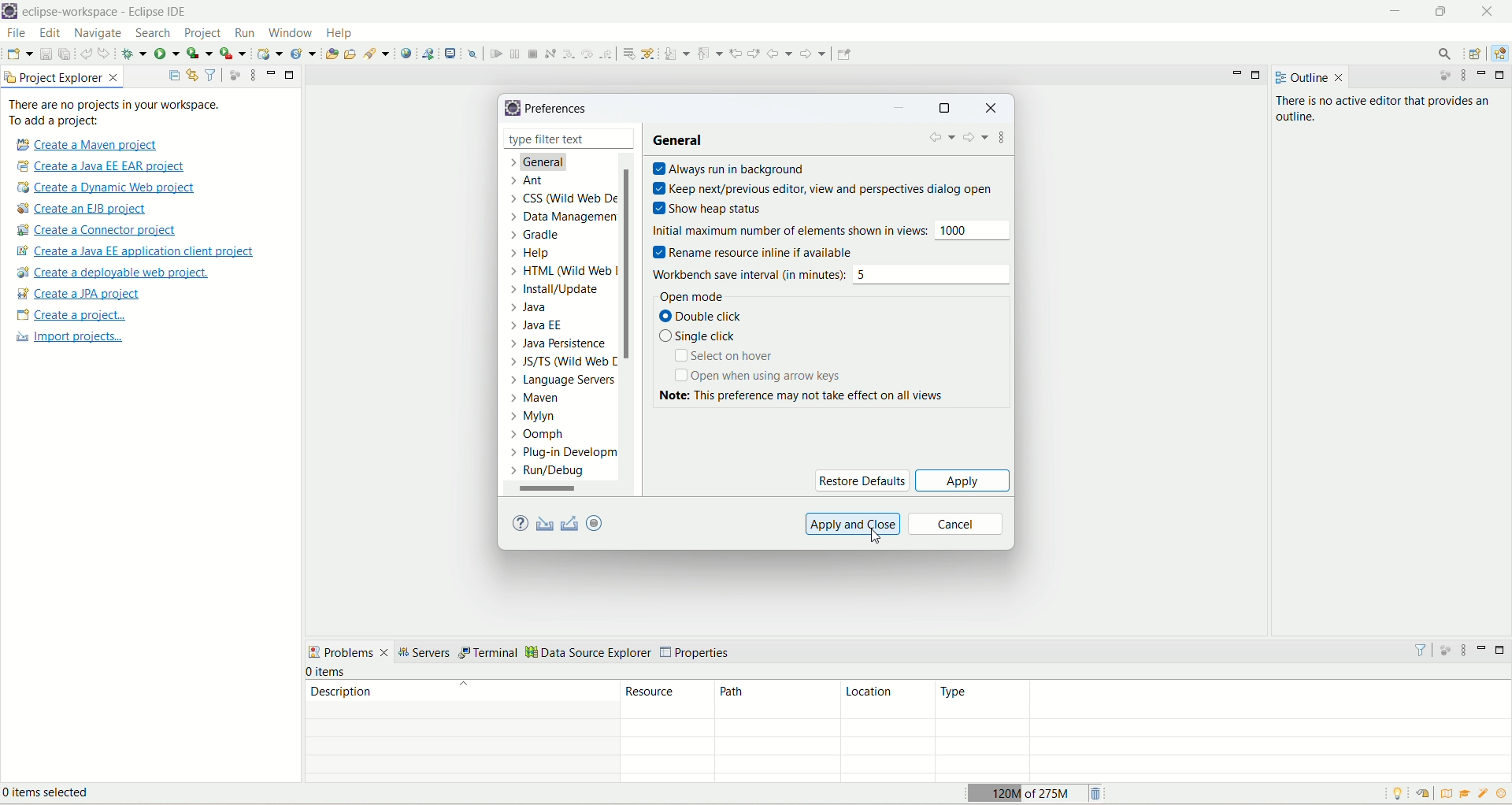 The image size is (1512, 805). What do you see at coordinates (854, 523) in the screenshot?
I see `apply and close` at bounding box center [854, 523].